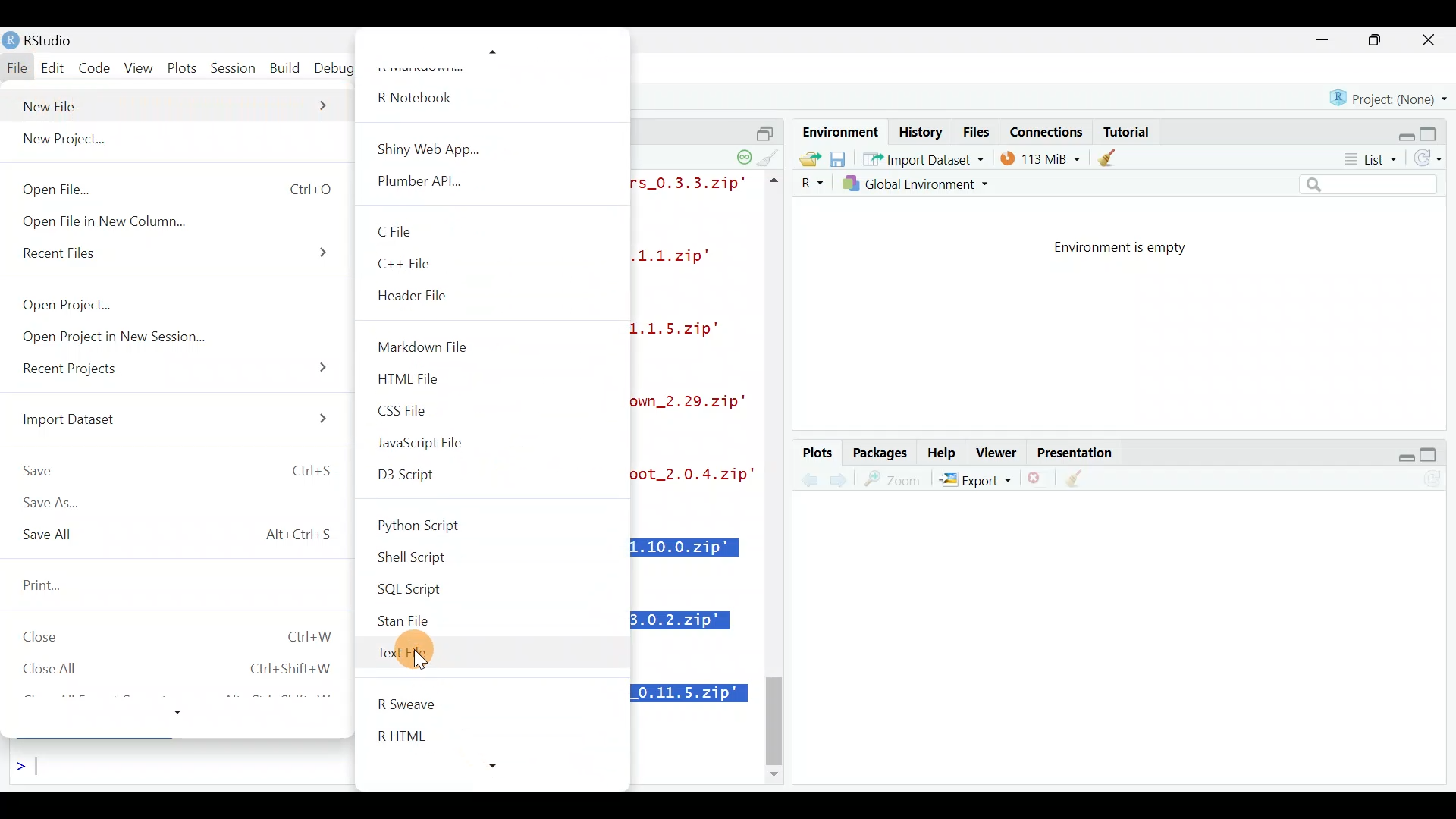  I want to click on Global Environment, so click(927, 184).